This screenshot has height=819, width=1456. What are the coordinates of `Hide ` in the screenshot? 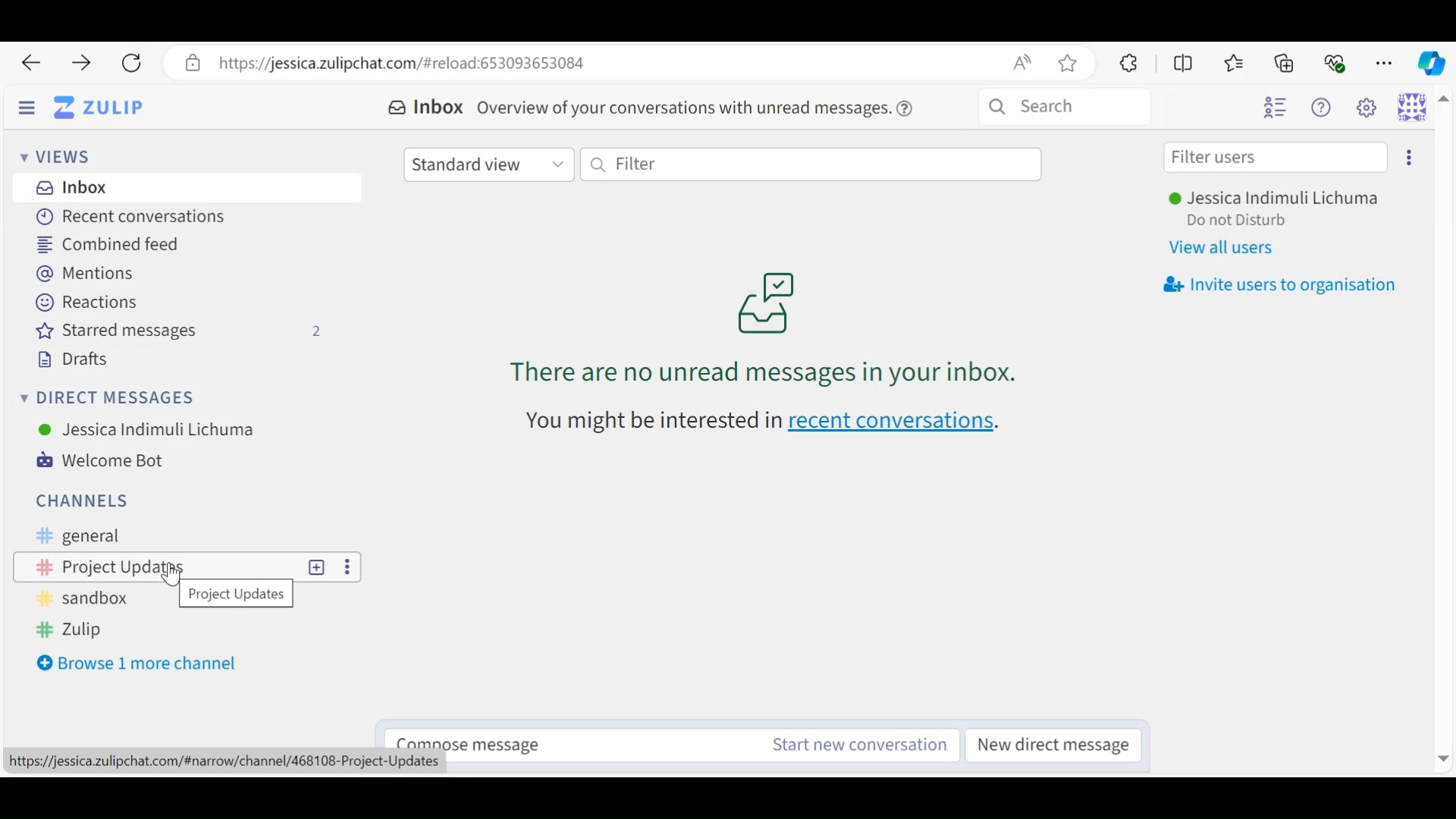 It's located at (27, 109).